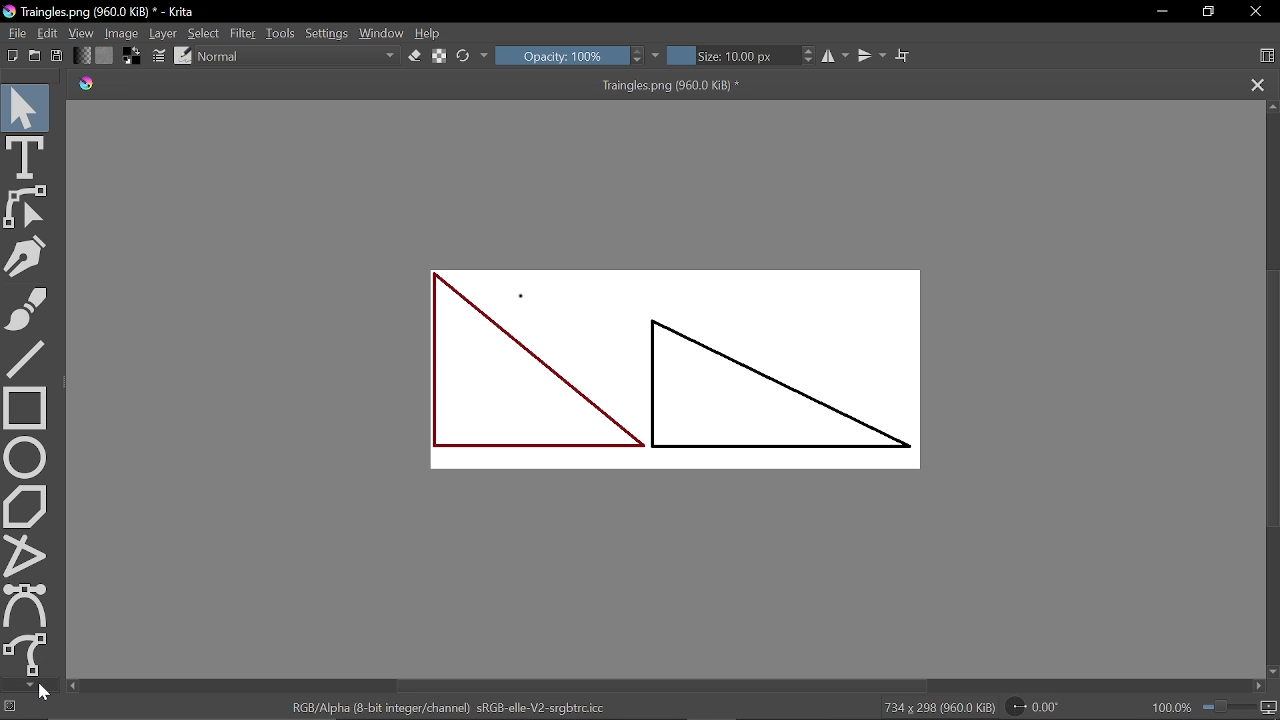  What do you see at coordinates (1271, 669) in the screenshot?
I see `Move down` at bounding box center [1271, 669].